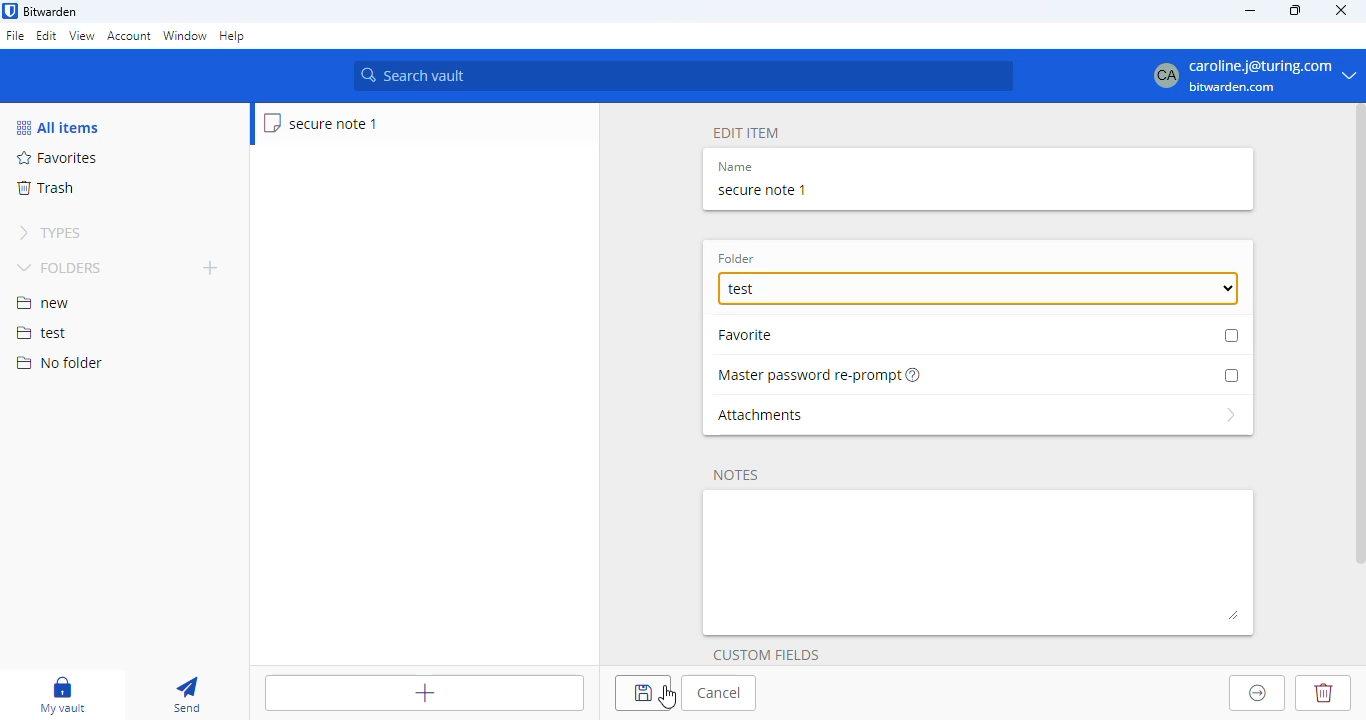  I want to click on secure note 1, so click(762, 190).